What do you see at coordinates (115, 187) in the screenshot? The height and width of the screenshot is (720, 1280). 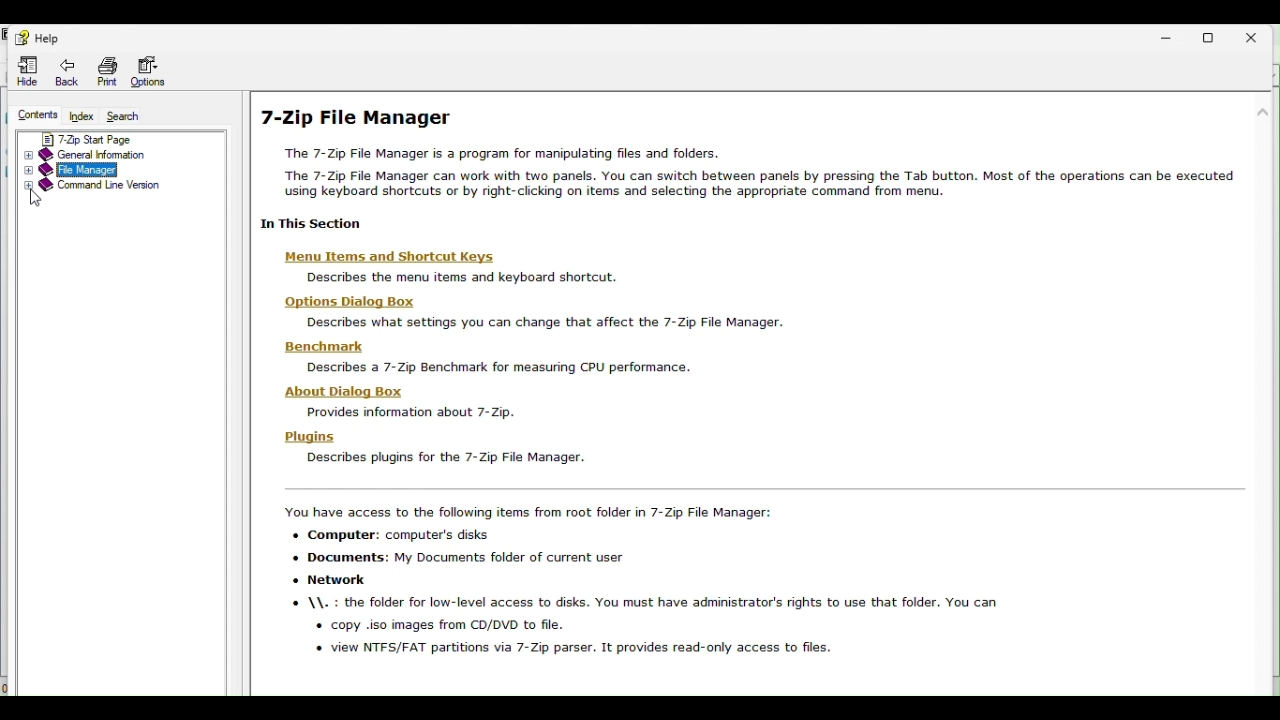 I see `command line version ` at bounding box center [115, 187].